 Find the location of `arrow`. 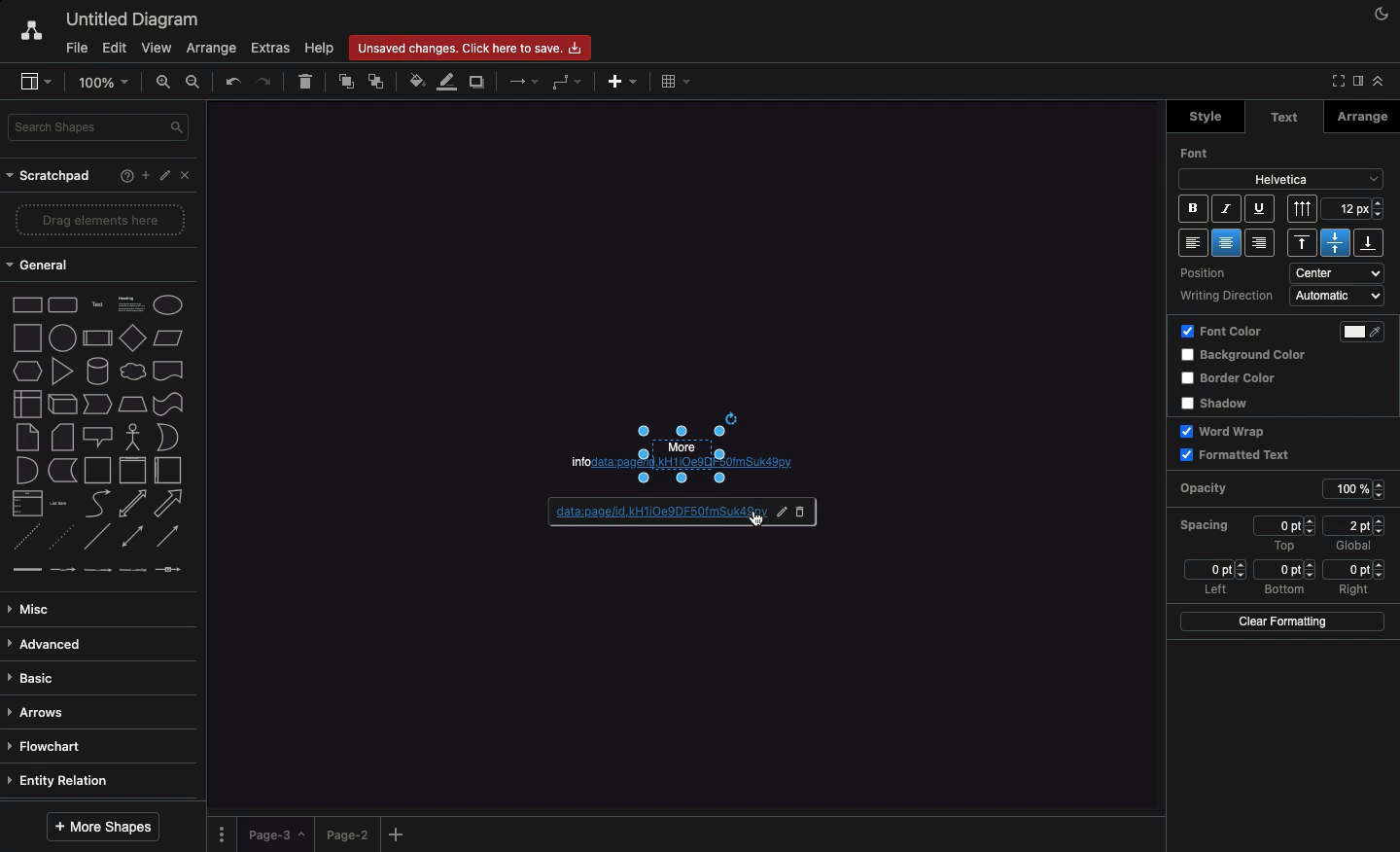

arrow is located at coordinates (169, 504).